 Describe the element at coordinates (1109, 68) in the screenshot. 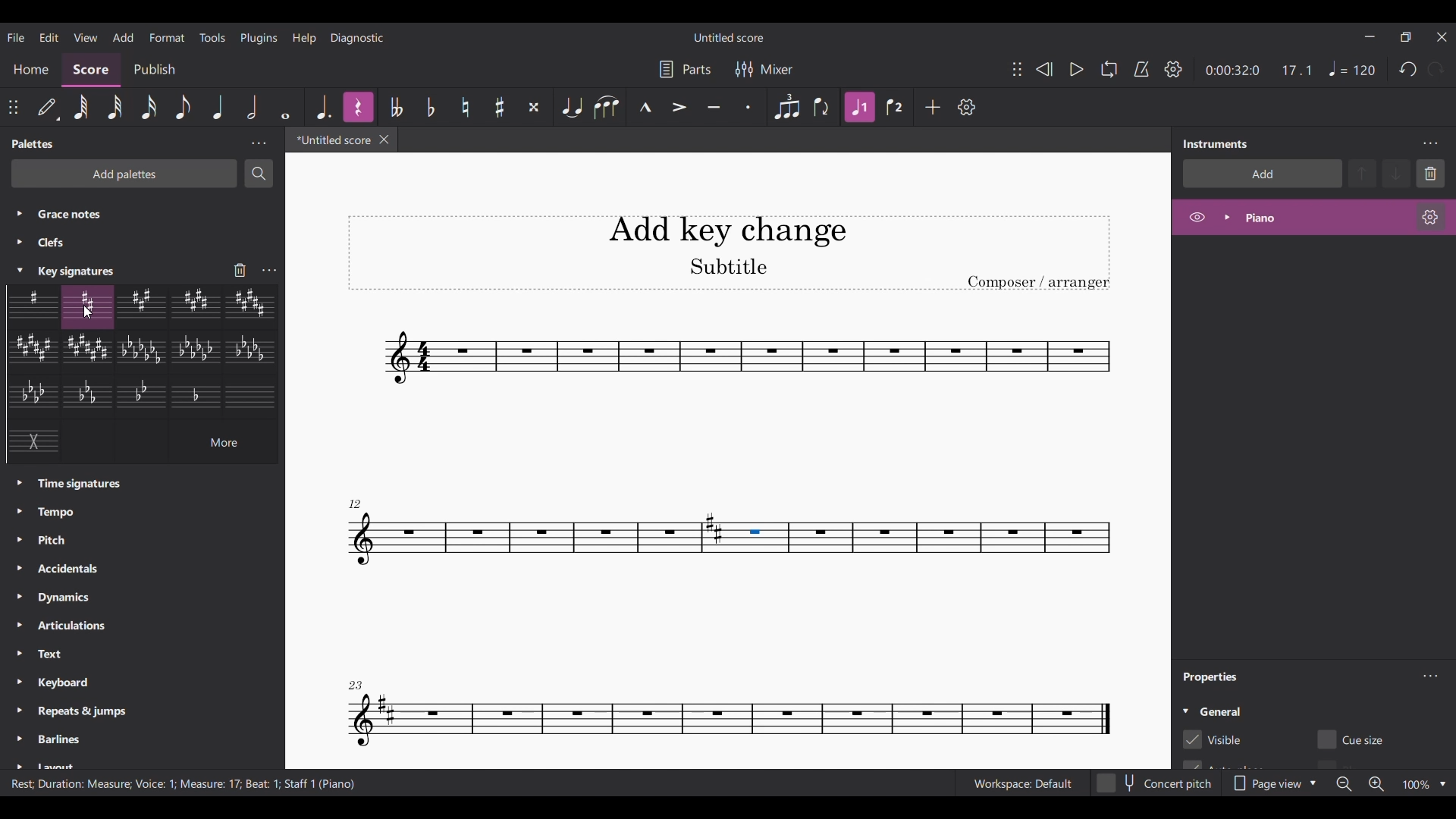

I see `Loop playback ` at that location.